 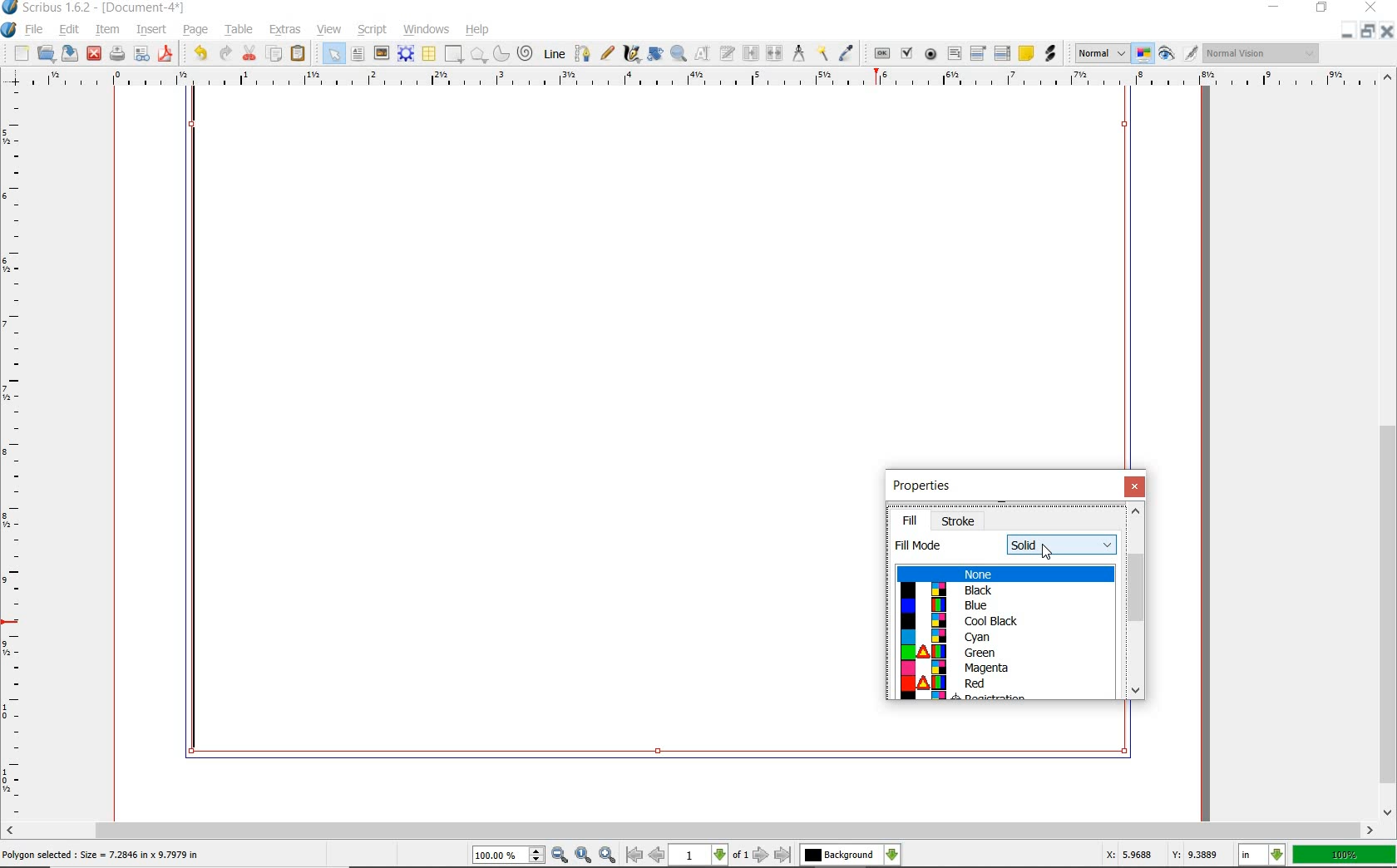 I want to click on zoom in or zoom out, so click(x=678, y=55).